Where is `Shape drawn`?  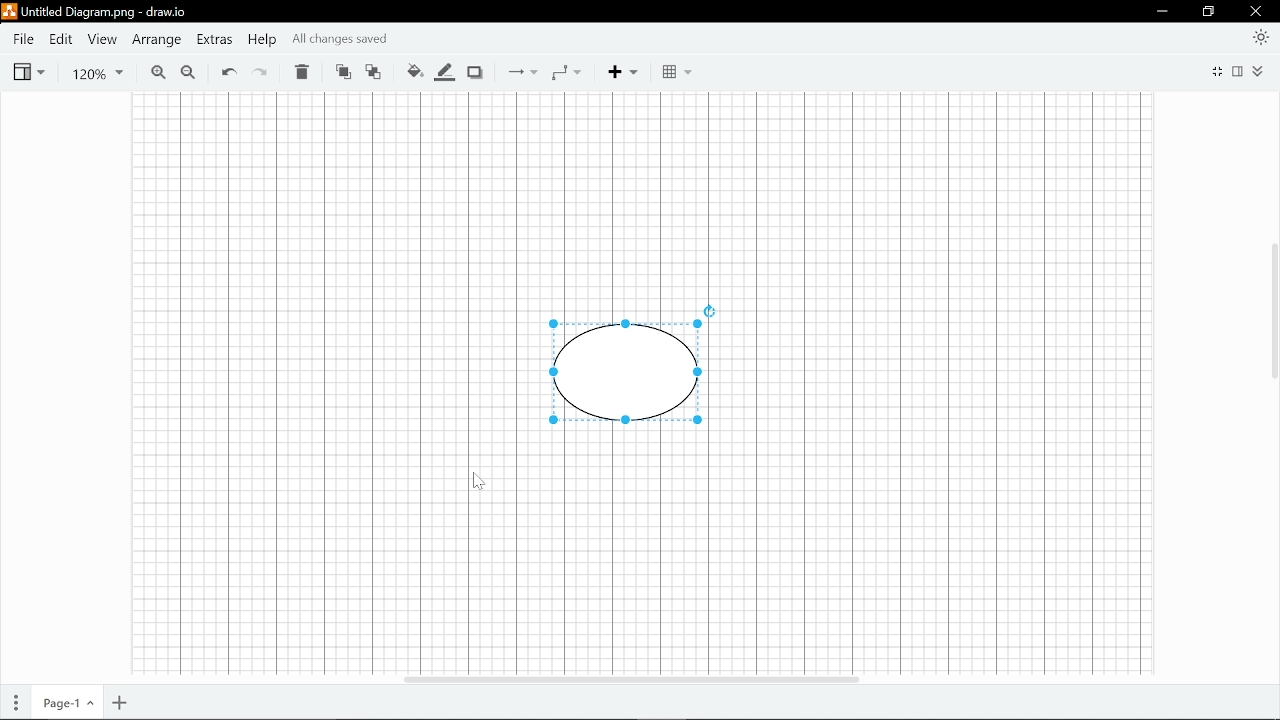 Shape drawn is located at coordinates (628, 366).